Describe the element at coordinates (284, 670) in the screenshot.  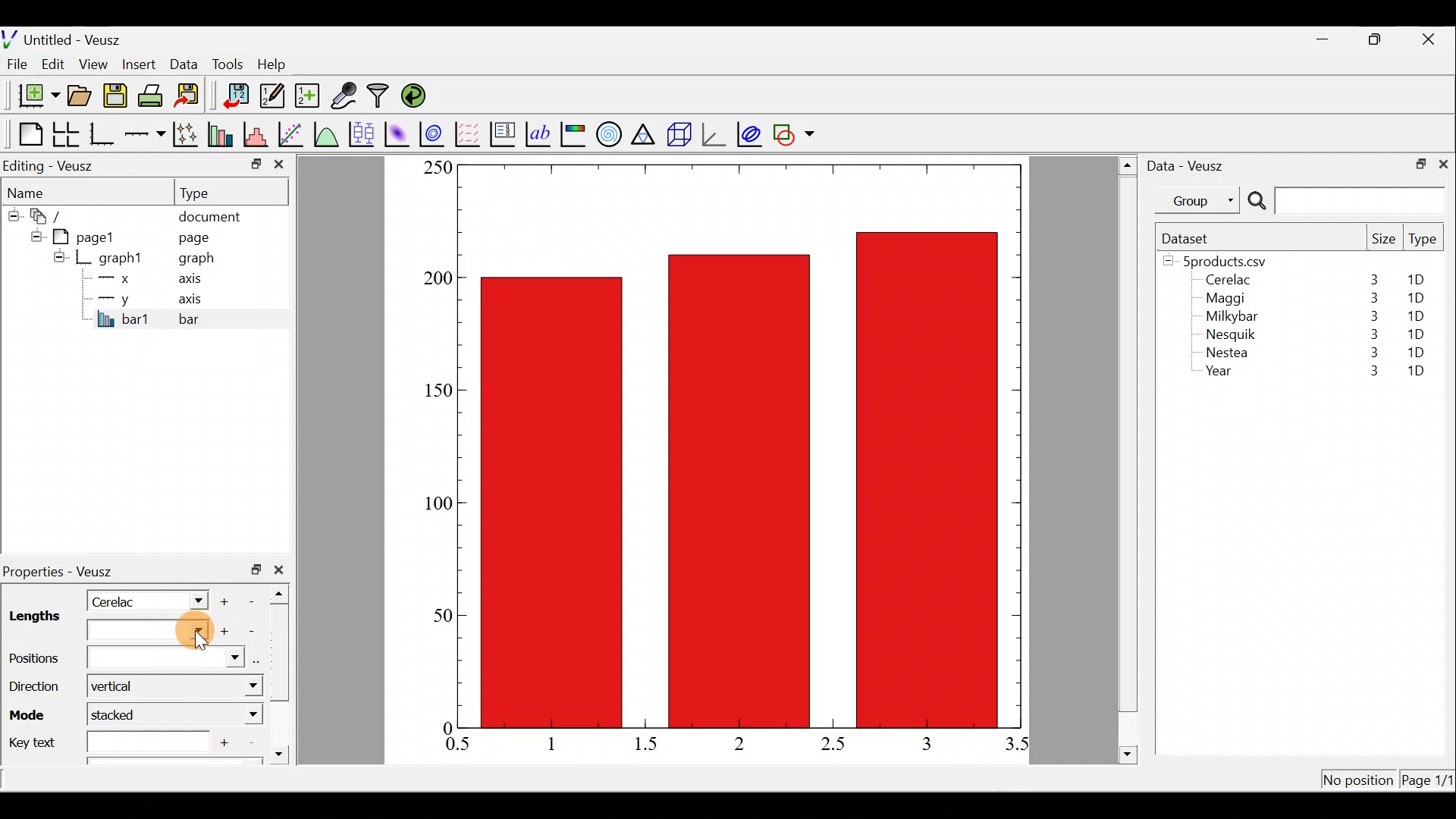
I see `scroll bar` at that location.